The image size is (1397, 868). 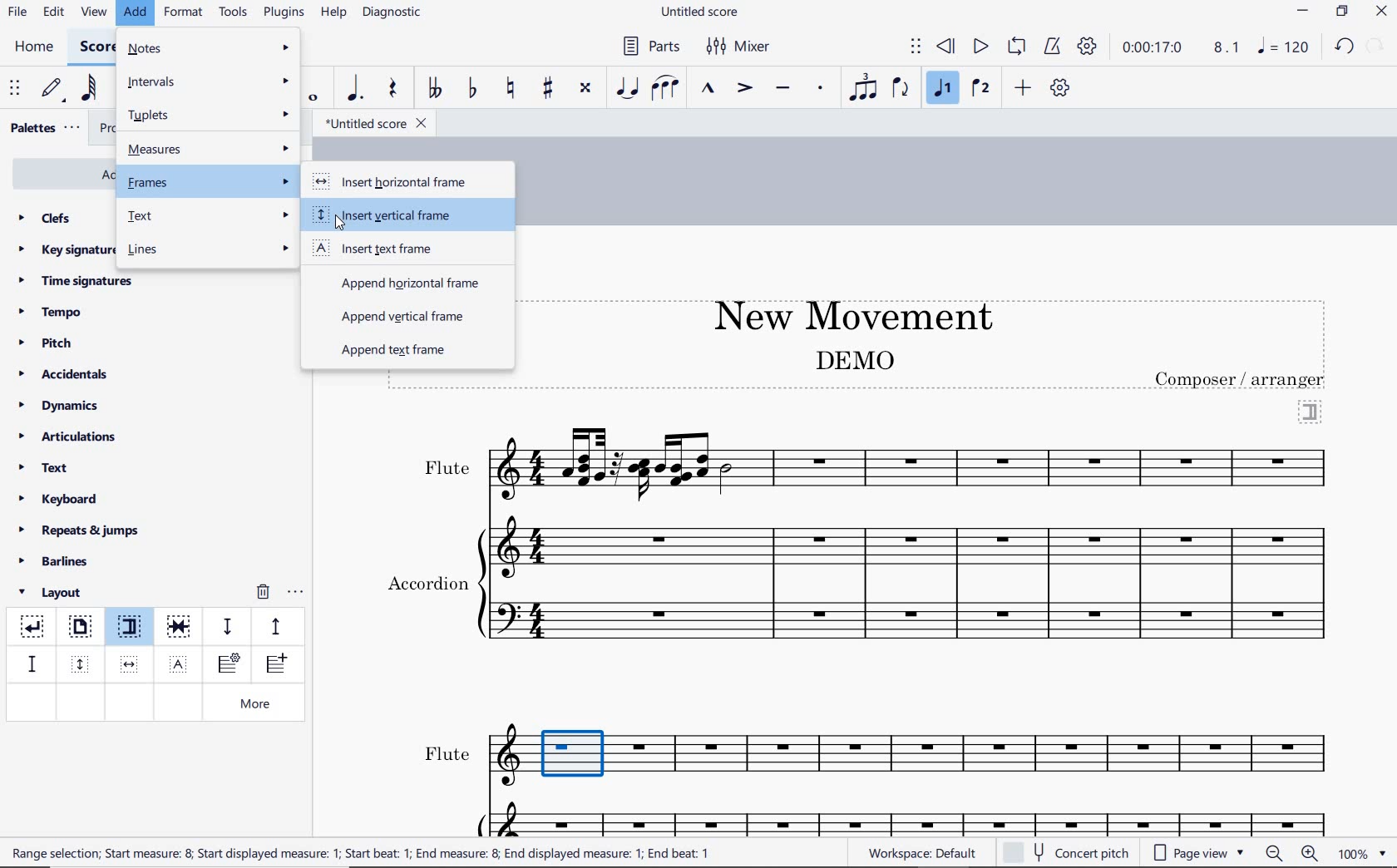 I want to click on insert vertical frame, so click(x=397, y=216).